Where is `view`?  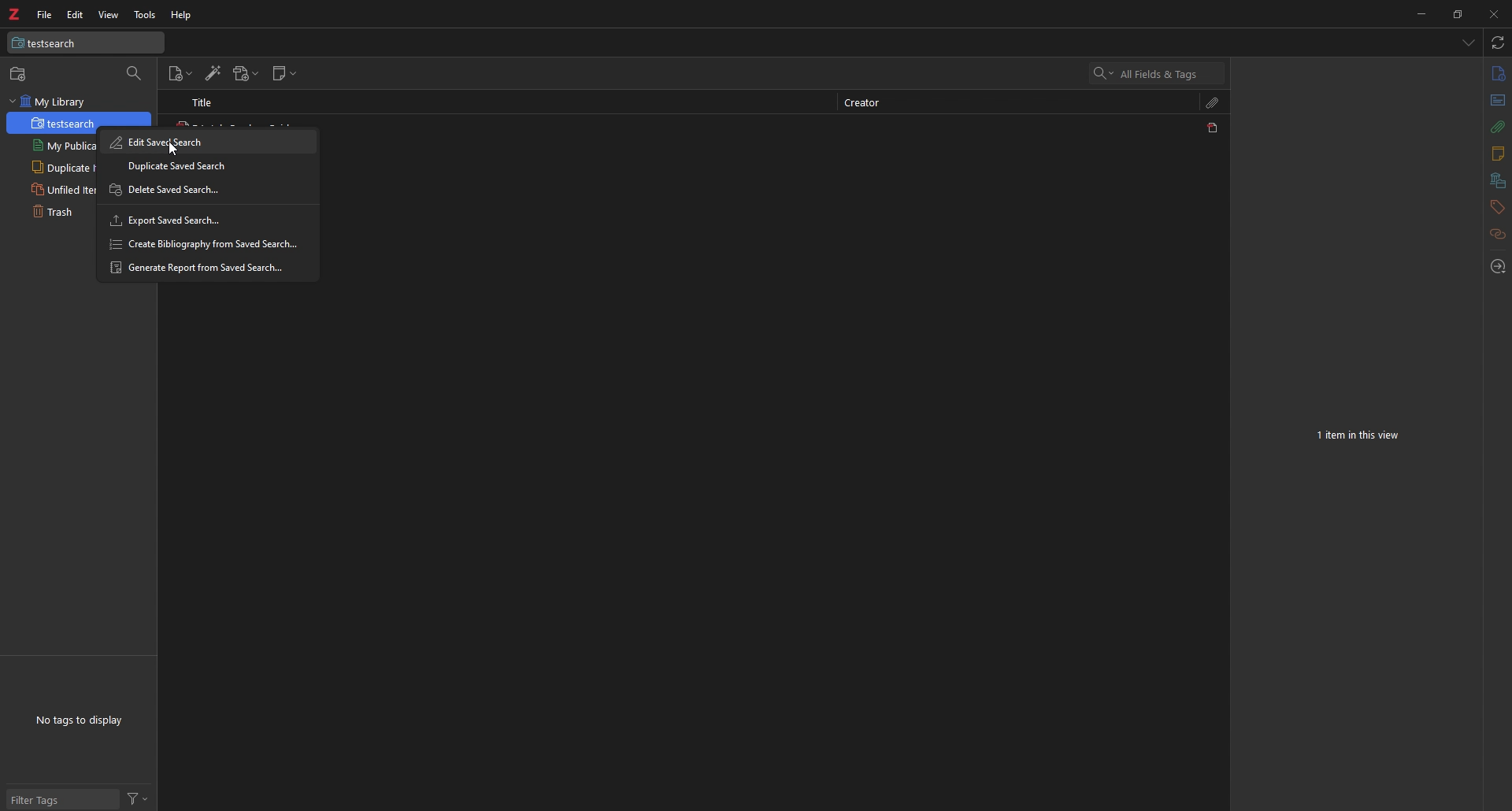
view is located at coordinates (108, 15).